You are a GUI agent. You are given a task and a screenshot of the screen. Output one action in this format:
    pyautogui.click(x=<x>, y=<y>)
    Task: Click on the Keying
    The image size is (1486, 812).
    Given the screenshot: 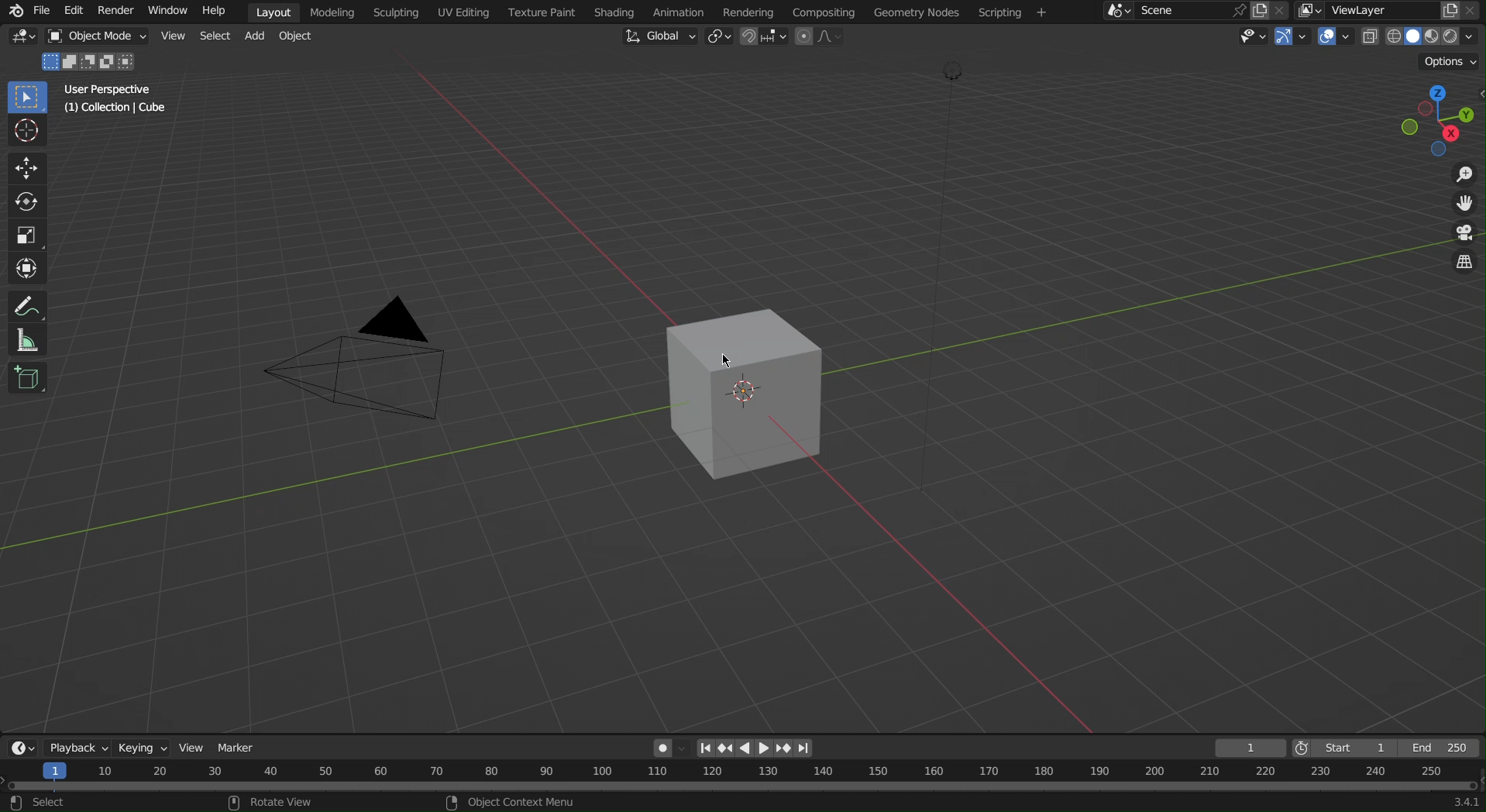 What is the action you would take?
    pyautogui.click(x=141, y=746)
    